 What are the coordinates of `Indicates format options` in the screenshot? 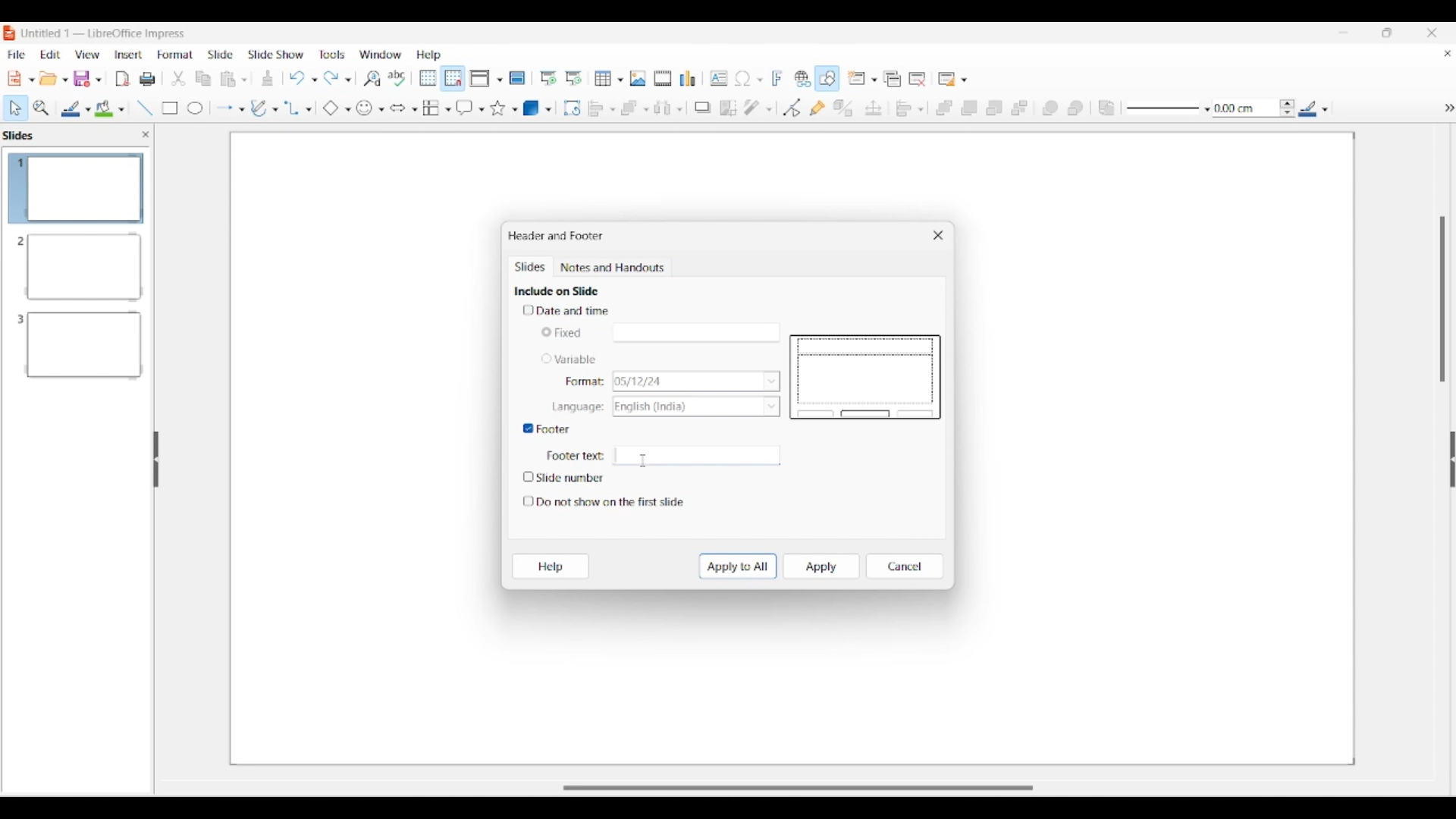 It's located at (585, 381).